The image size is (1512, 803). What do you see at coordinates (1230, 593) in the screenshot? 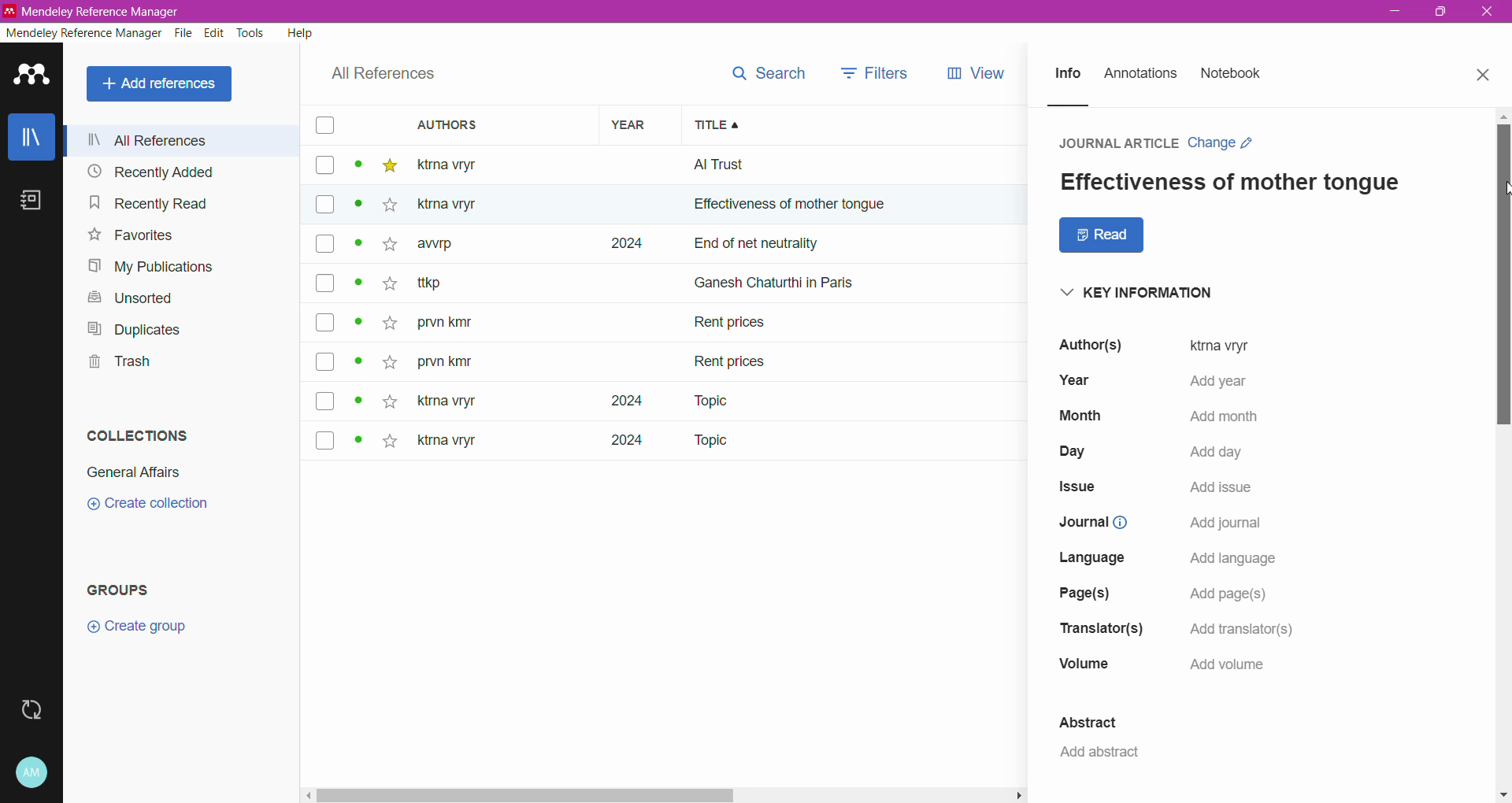
I see `Click to add page(s)` at bounding box center [1230, 593].